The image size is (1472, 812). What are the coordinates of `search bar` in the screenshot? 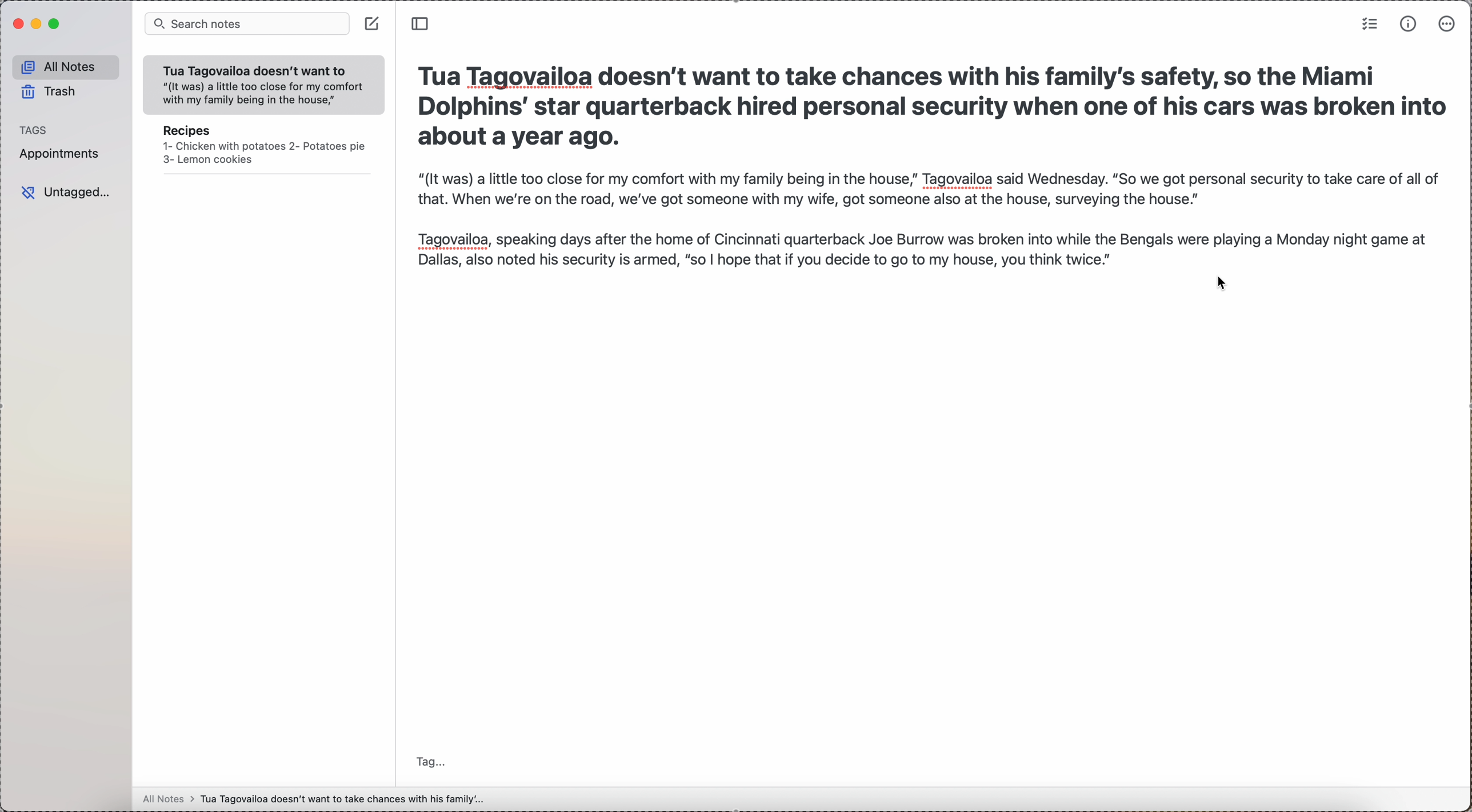 It's located at (247, 23).